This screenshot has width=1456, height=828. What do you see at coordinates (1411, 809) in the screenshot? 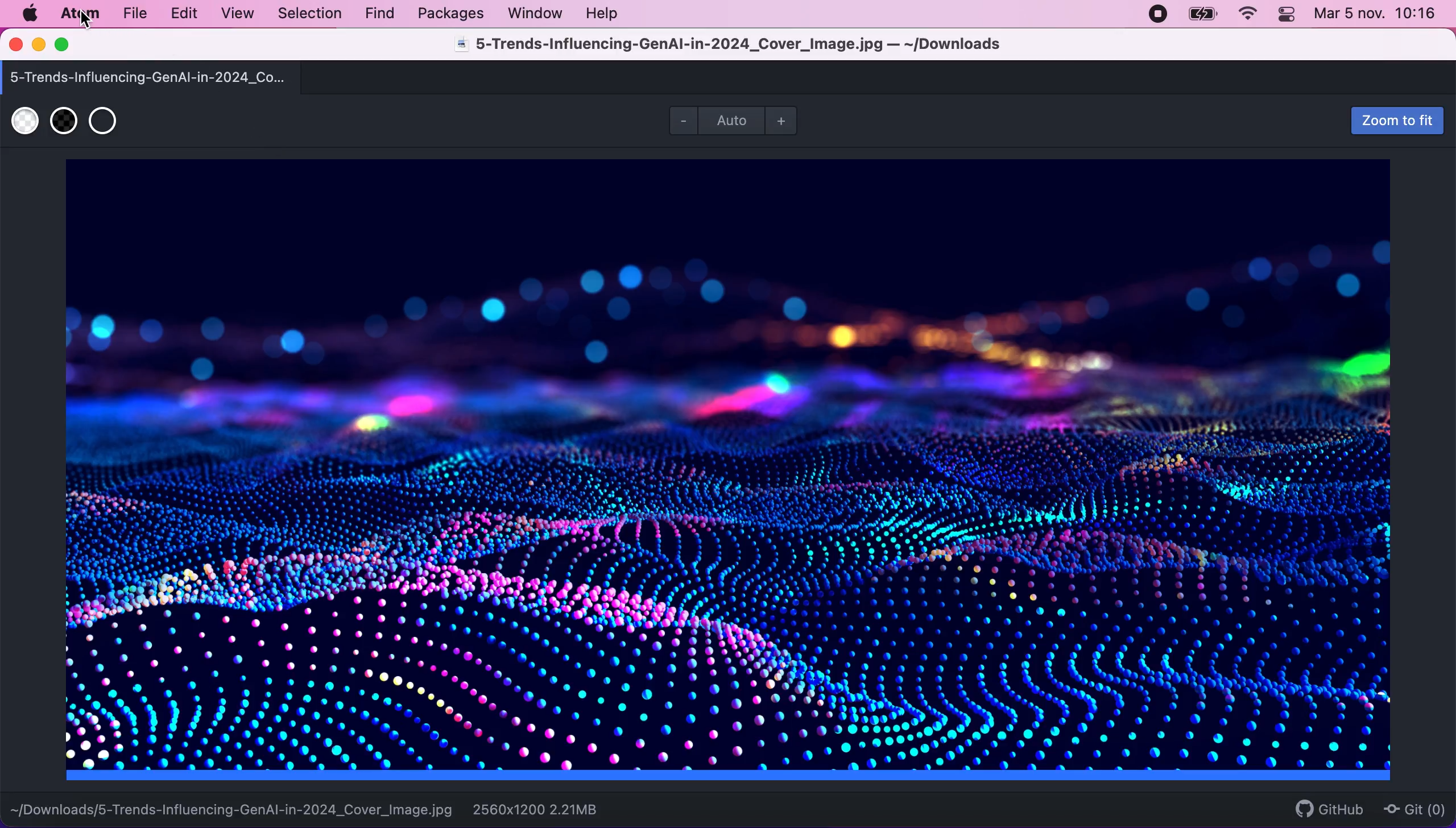
I see `Git (0)` at bounding box center [1411, 809].